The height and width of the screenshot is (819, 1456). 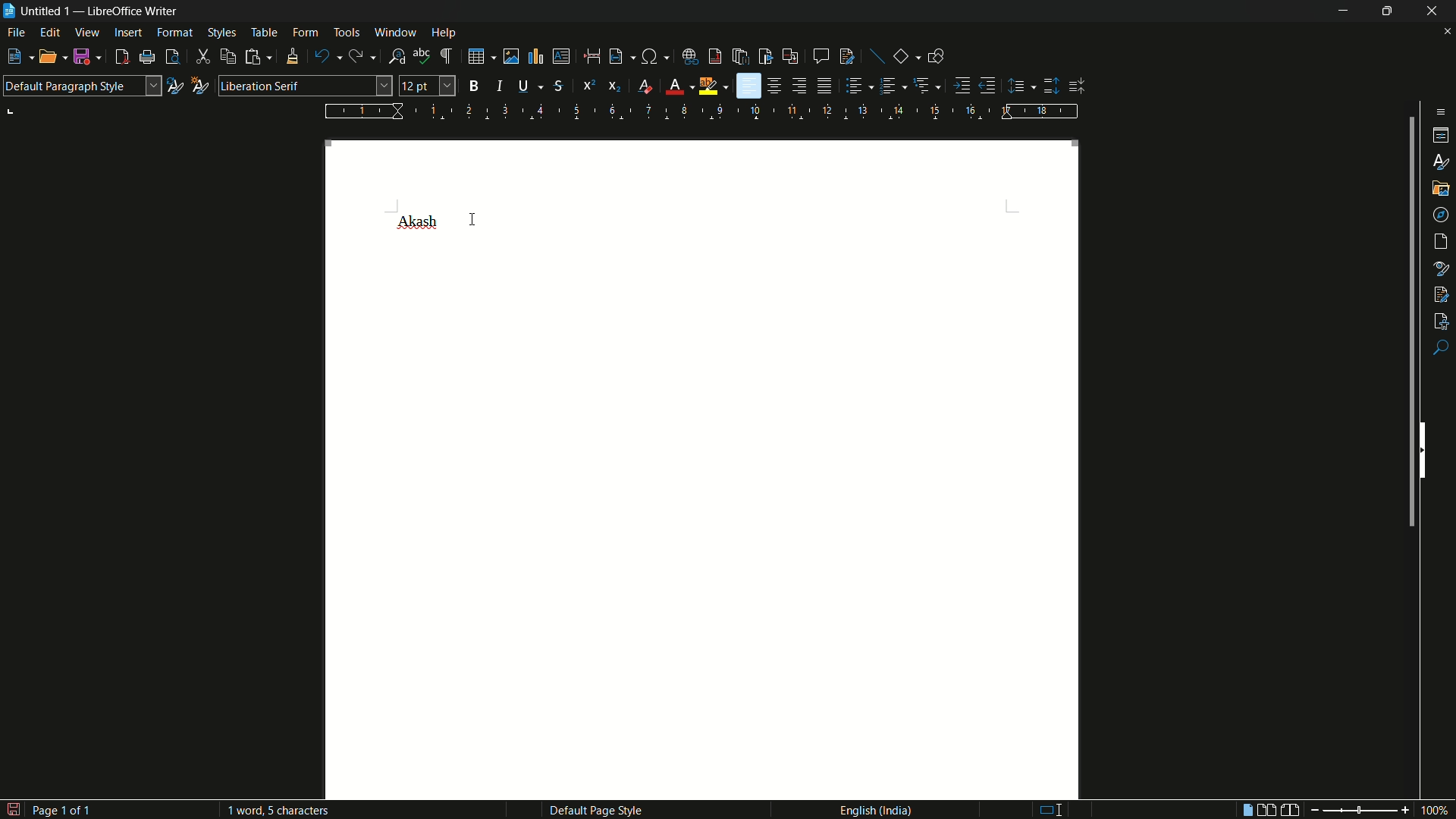 I want to click on insert menu, so click(x=128, y=32).